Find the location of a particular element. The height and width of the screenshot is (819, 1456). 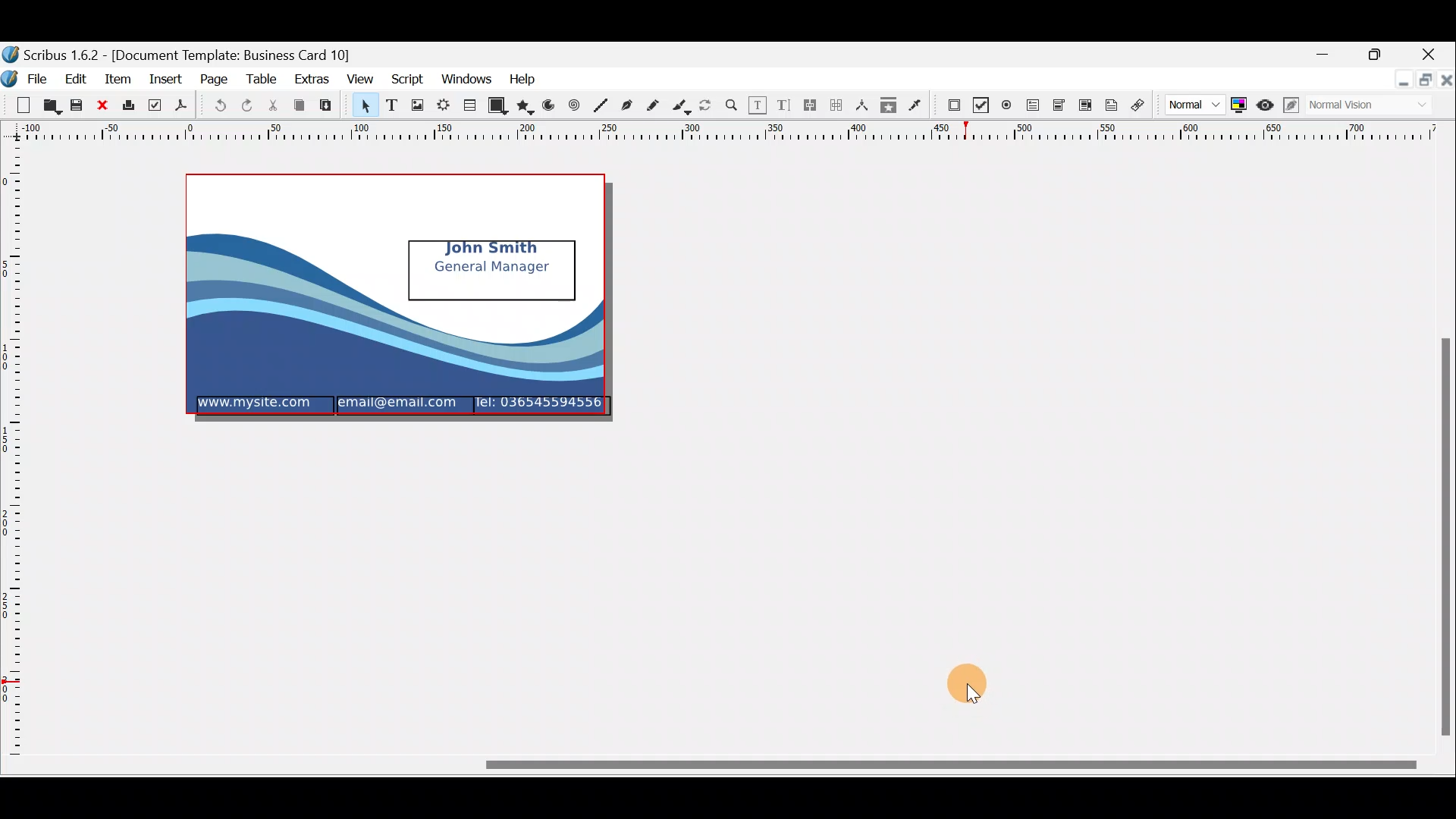

Text frame is located at coordinates (392, 108).